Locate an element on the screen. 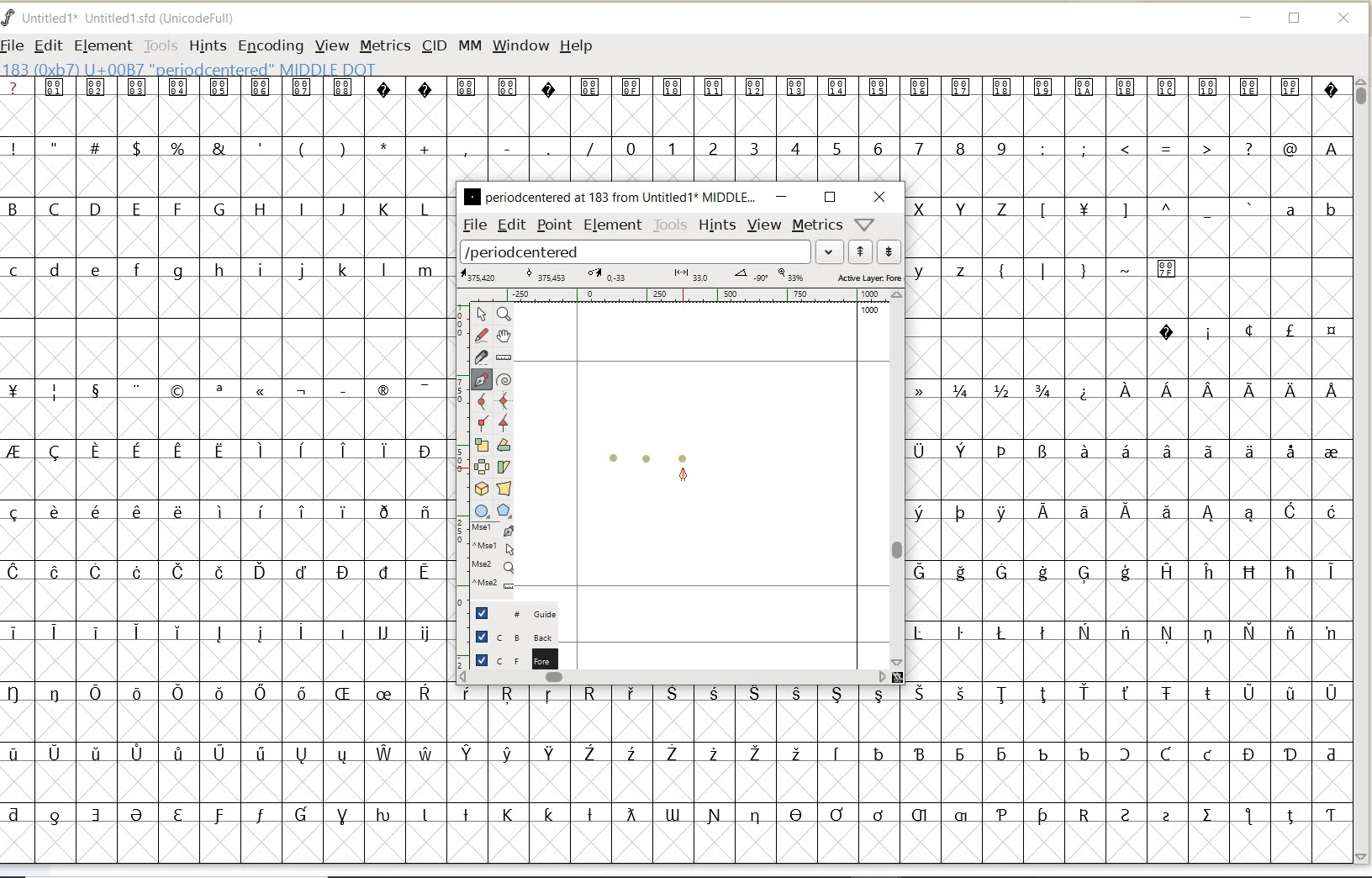 The height and width of the screenshot is (878, 1372). measure a distance, angle between points is located at coordinates (504, 357).